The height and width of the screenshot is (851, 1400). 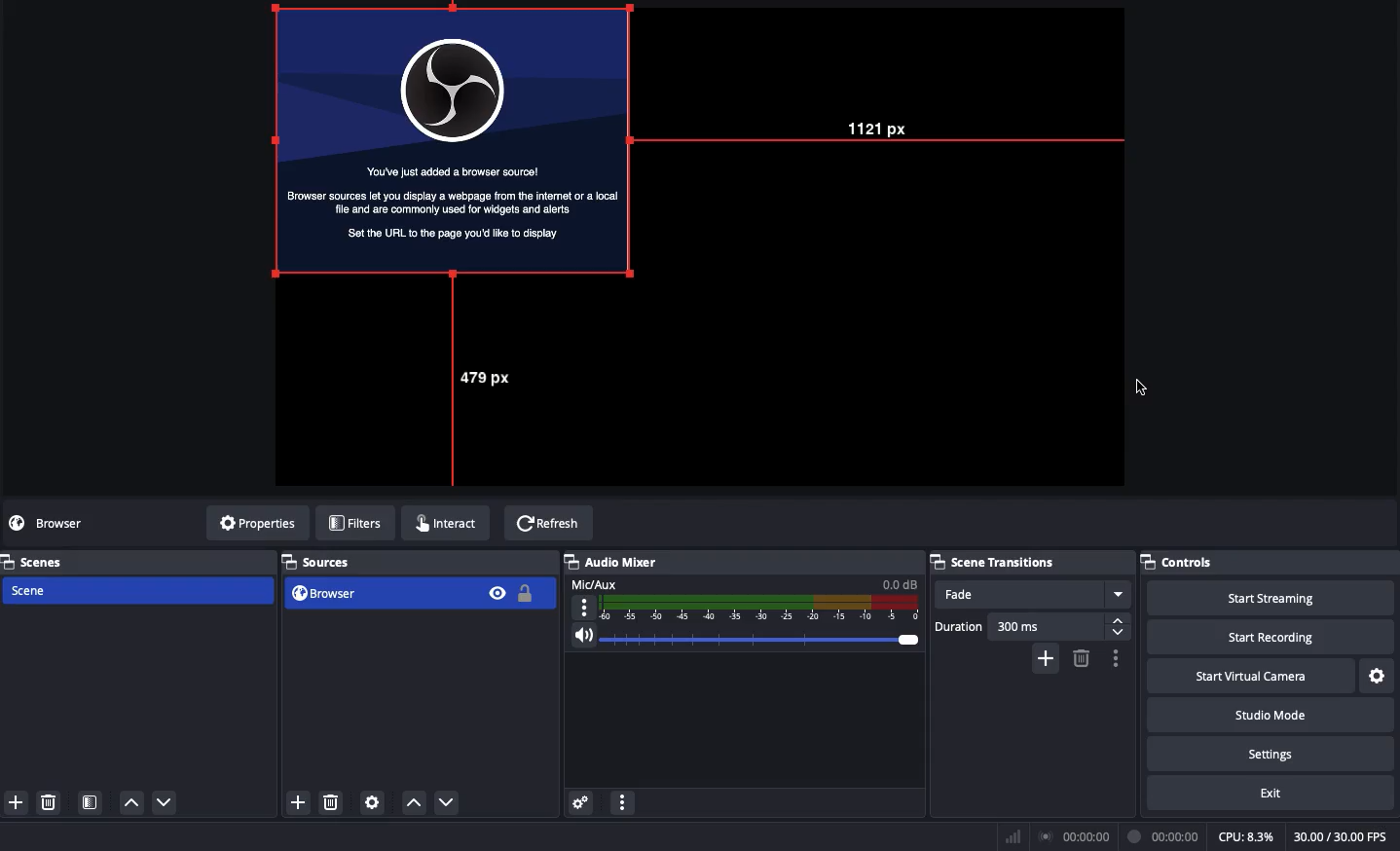 I want to click on Exit, so click(x=1270, y=794).